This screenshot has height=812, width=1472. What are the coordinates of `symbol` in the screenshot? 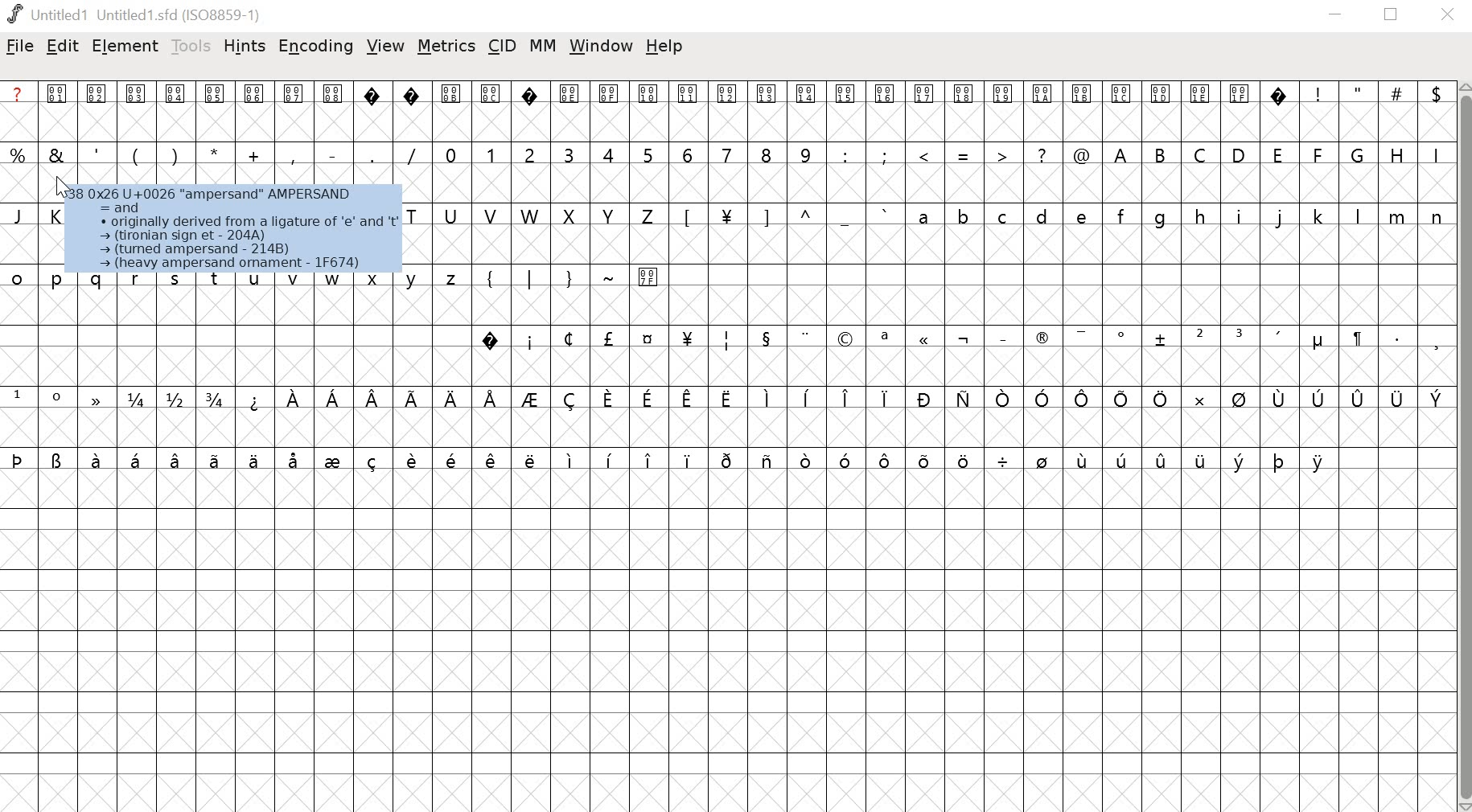 It's located at (177, 459).